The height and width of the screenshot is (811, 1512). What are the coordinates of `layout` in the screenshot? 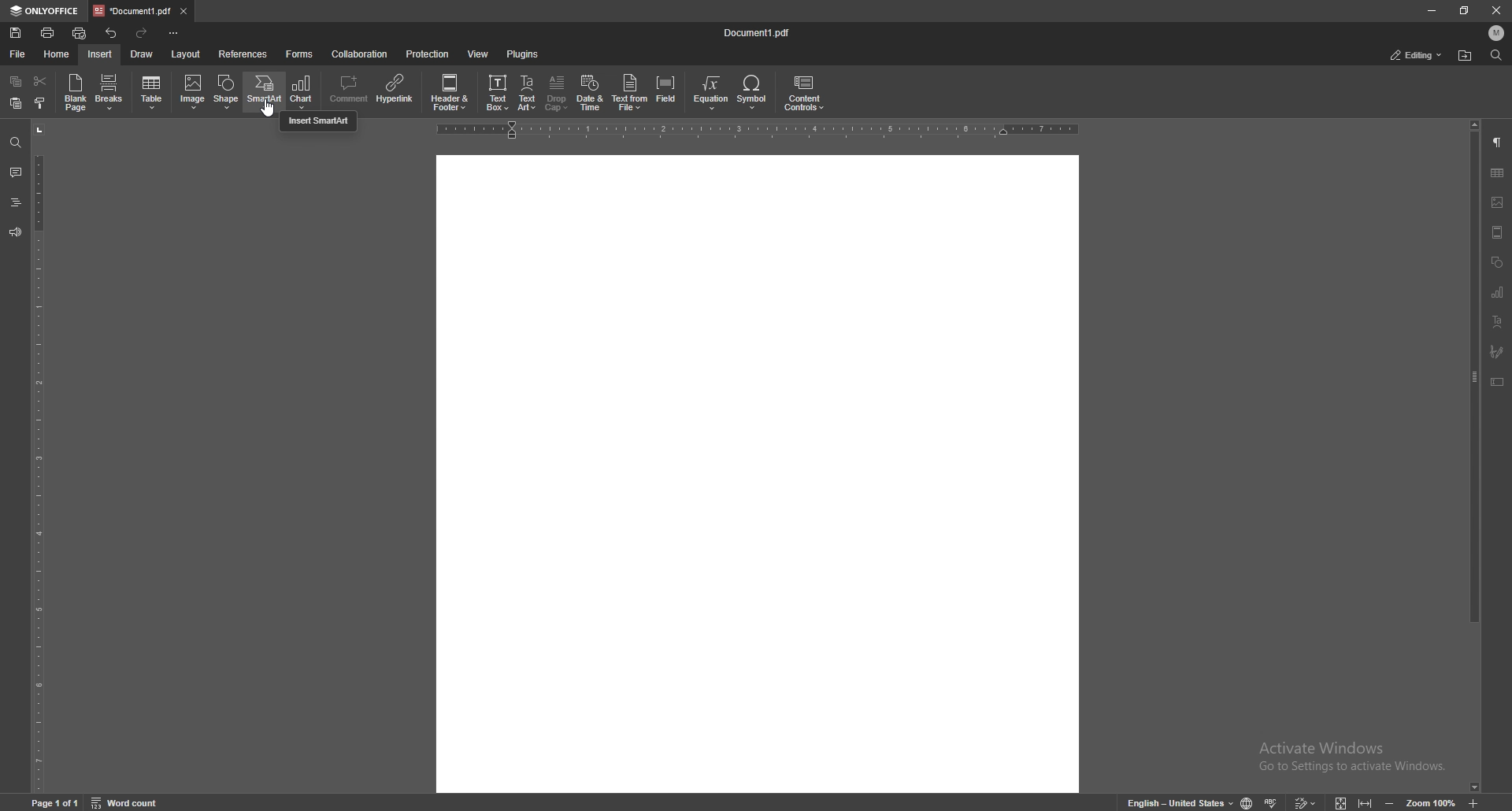 It's located at (187, 54).